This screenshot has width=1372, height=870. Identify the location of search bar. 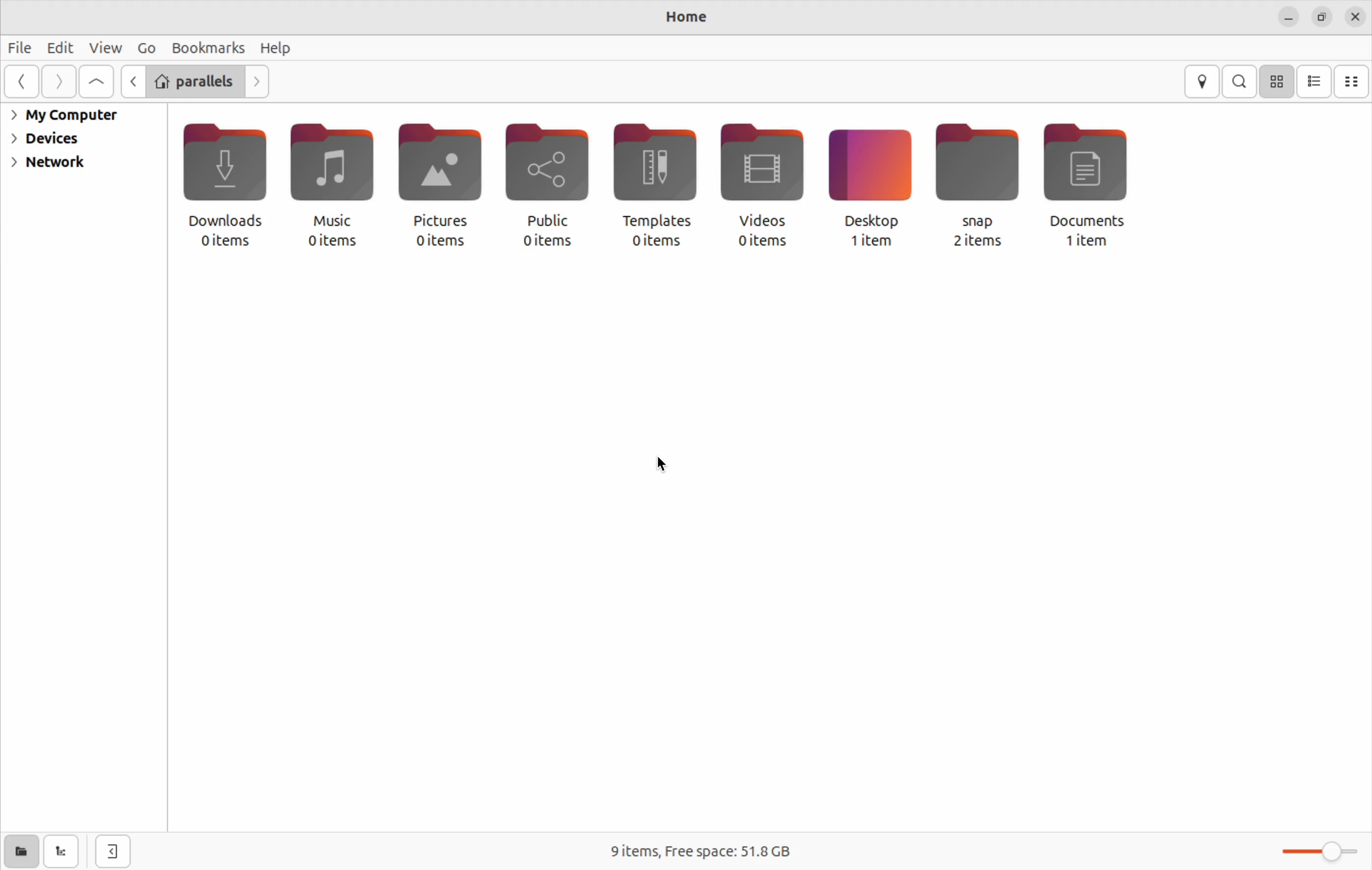
(1241, 80).